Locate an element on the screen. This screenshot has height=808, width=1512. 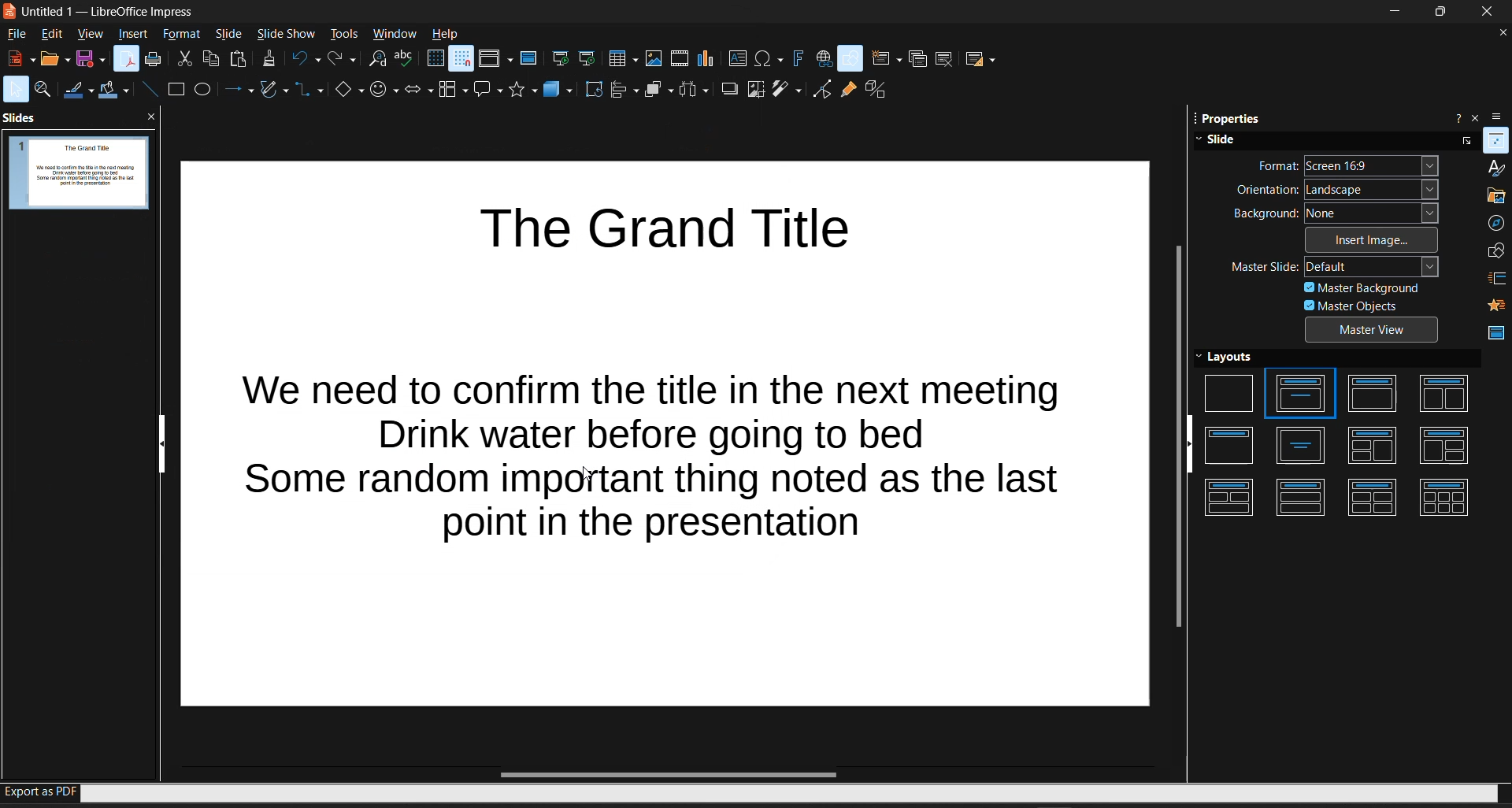
format is located at coordinates (183, 34).